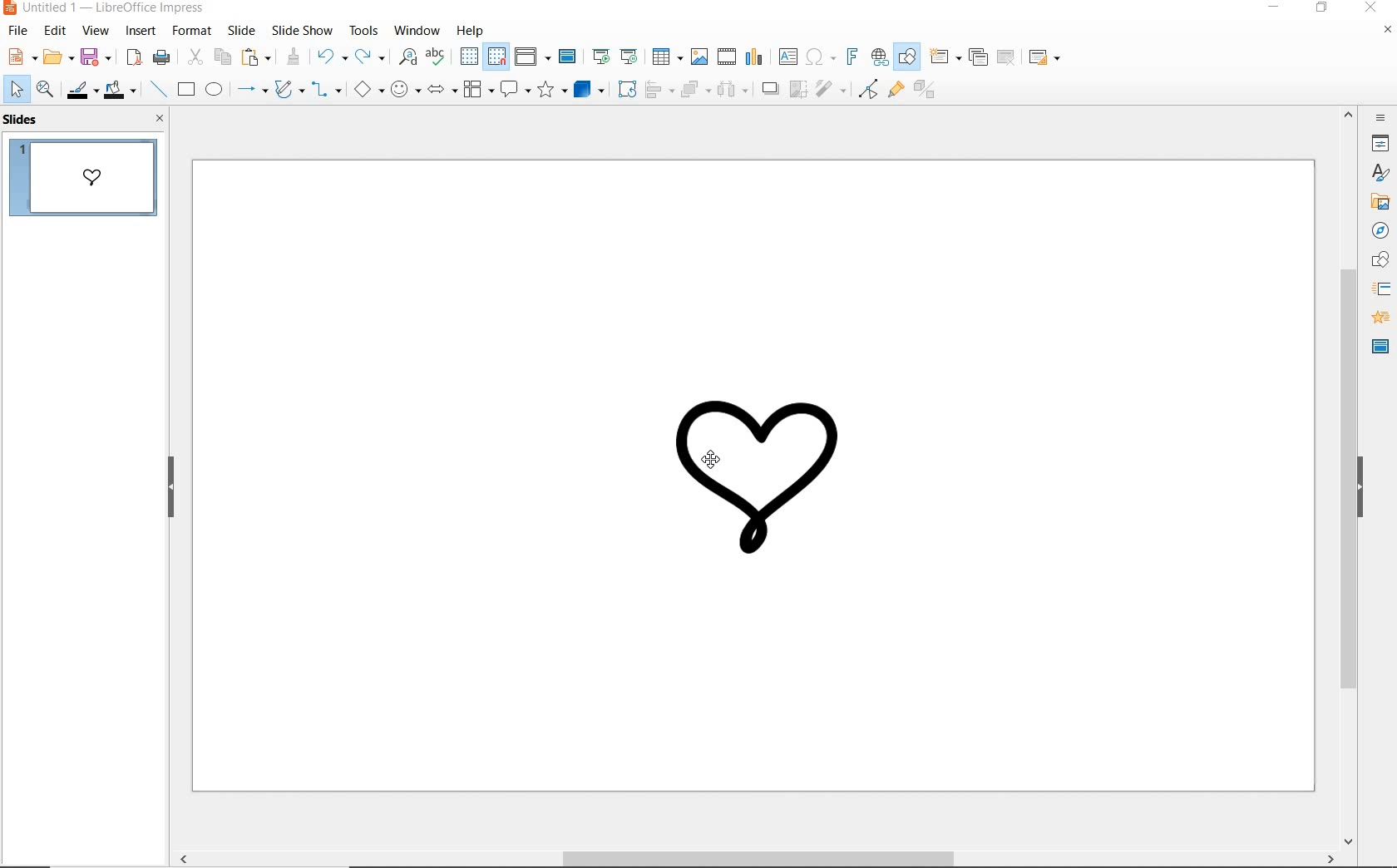 This screenshot has width=1397, height=868. I want to click on HIDE, so click(171, 489).